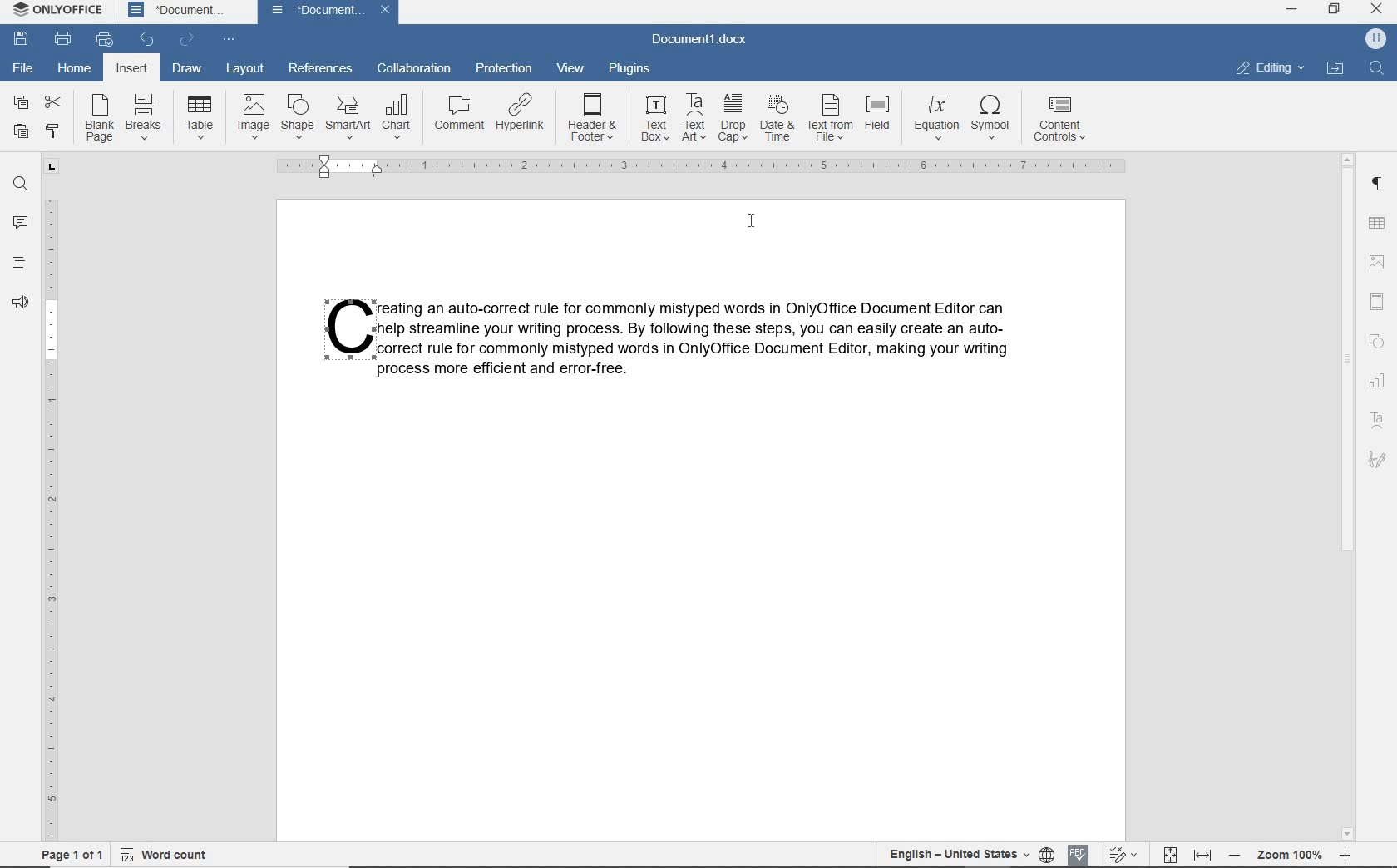  What do you see at coordinates (228, 38) in the screenshot?
I see `customize quick access toolbar` at bounding box center [228, 38].